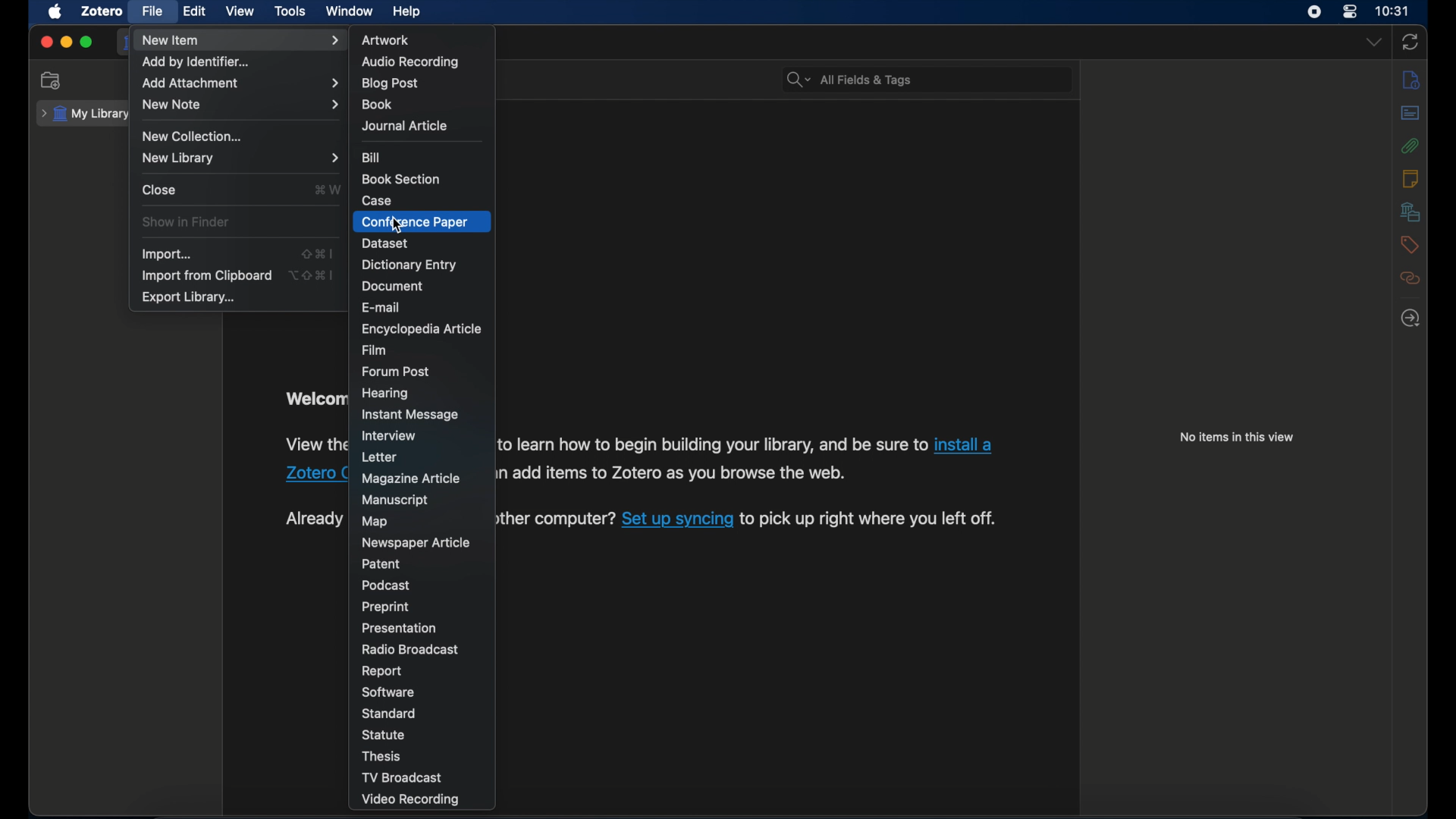  Describe the element at coordinates (409, 801) in the screenshot. I see `video recording` at that location.